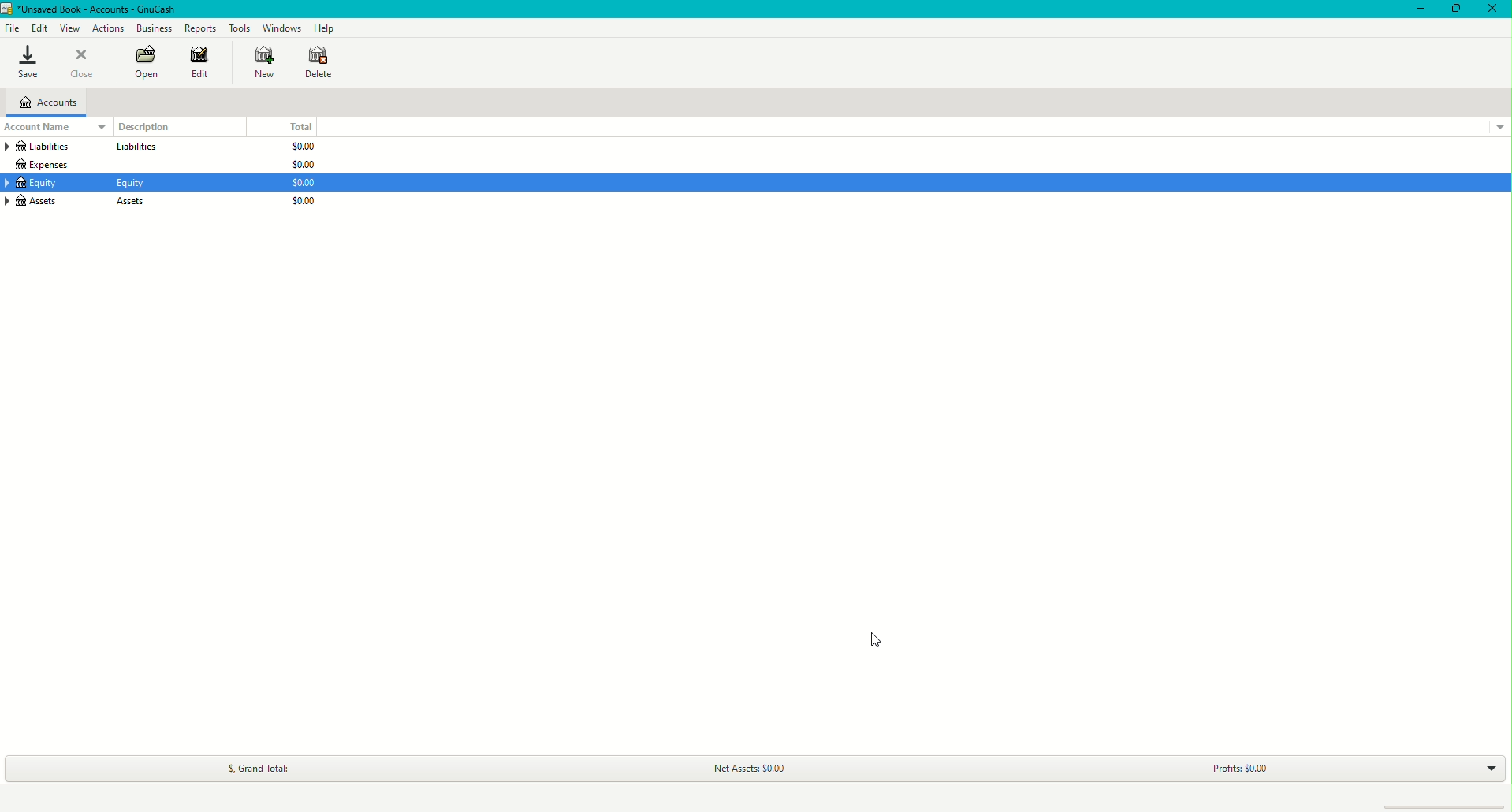 This screenshot has height=812, width=1512. I want to click on $0, so click(305, 165).